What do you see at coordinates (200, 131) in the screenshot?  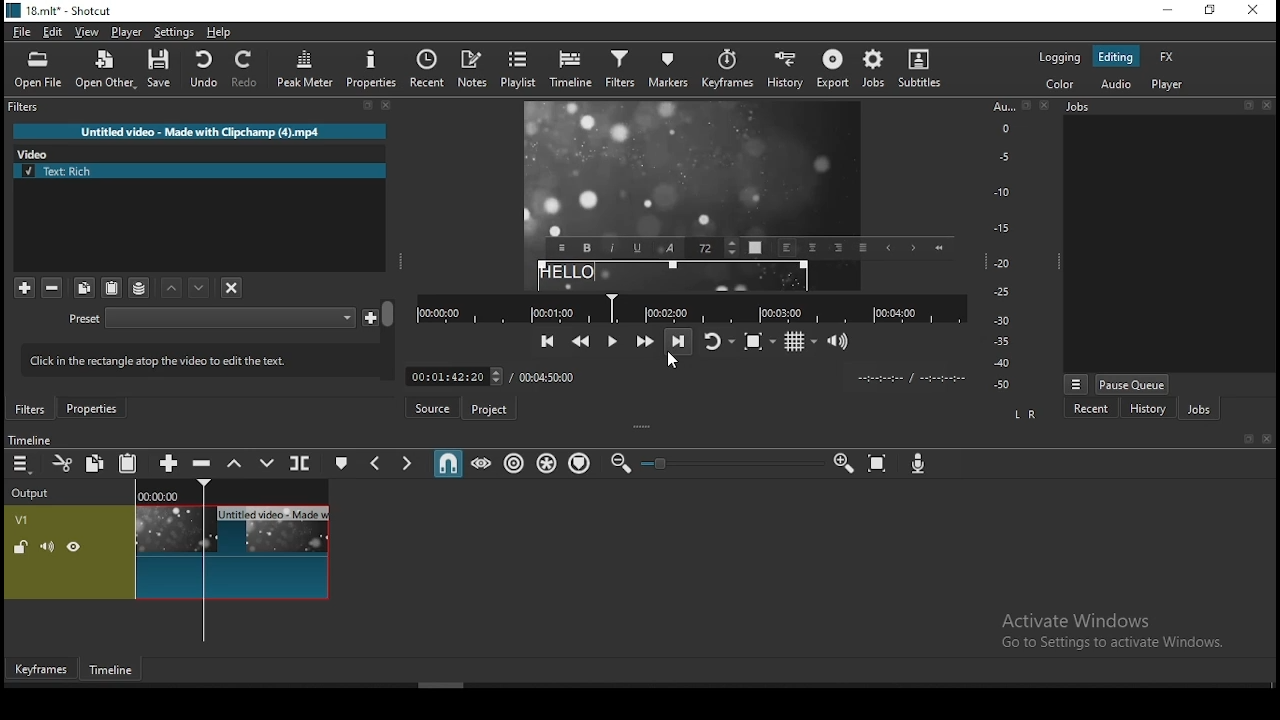 I see `Untitled video - Made with Clipchamp (4).mp4` at bounding box center [200, 131].